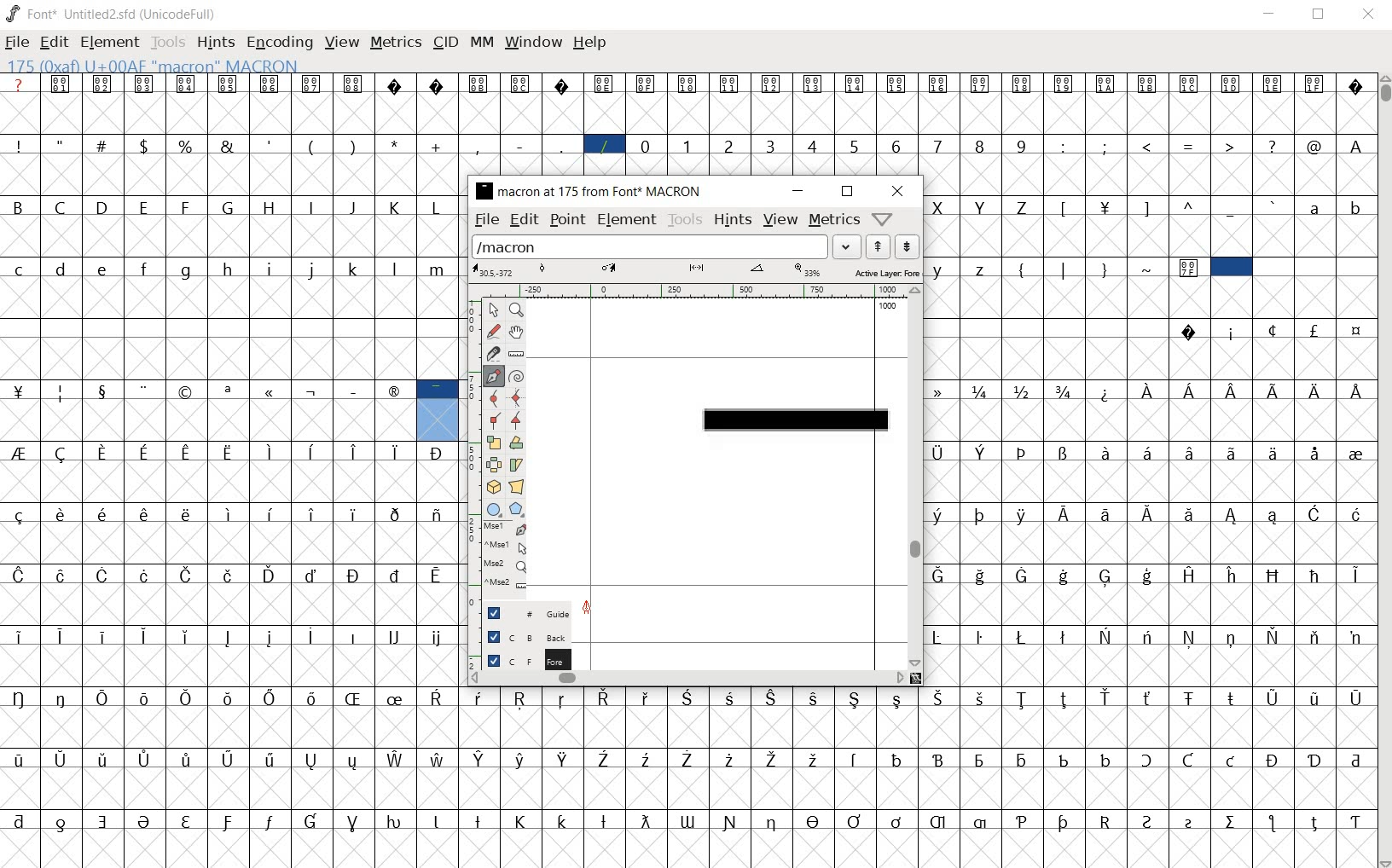 This screenshot has height=868, width=1392. Describe the element at coordinates (1273, 515) in the screenshot. I see `Symbol` at that location.